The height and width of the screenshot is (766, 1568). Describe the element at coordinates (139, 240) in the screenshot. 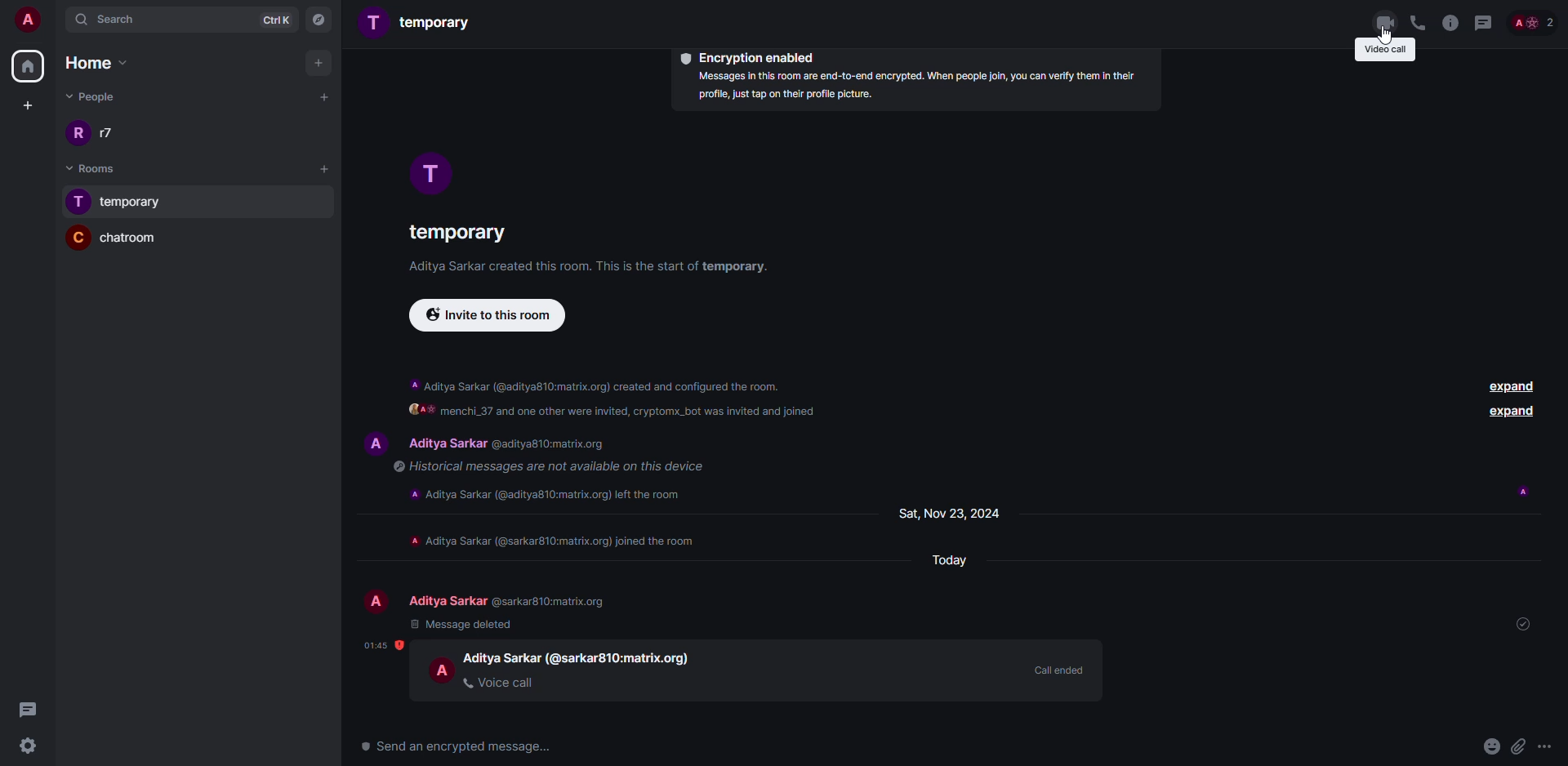

I see `room` at that location.